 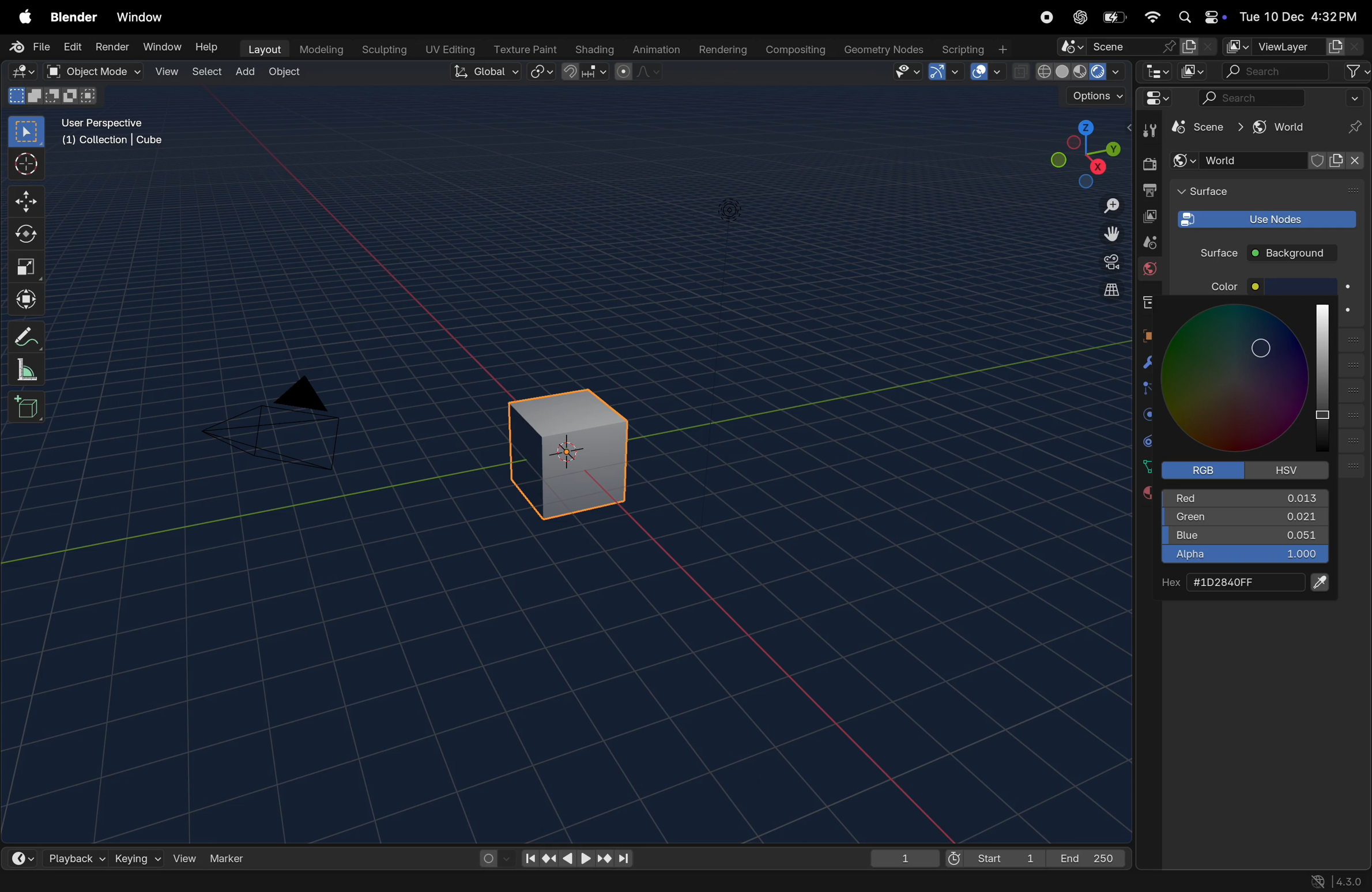 I want to click on select, so click(x=28, y=132).